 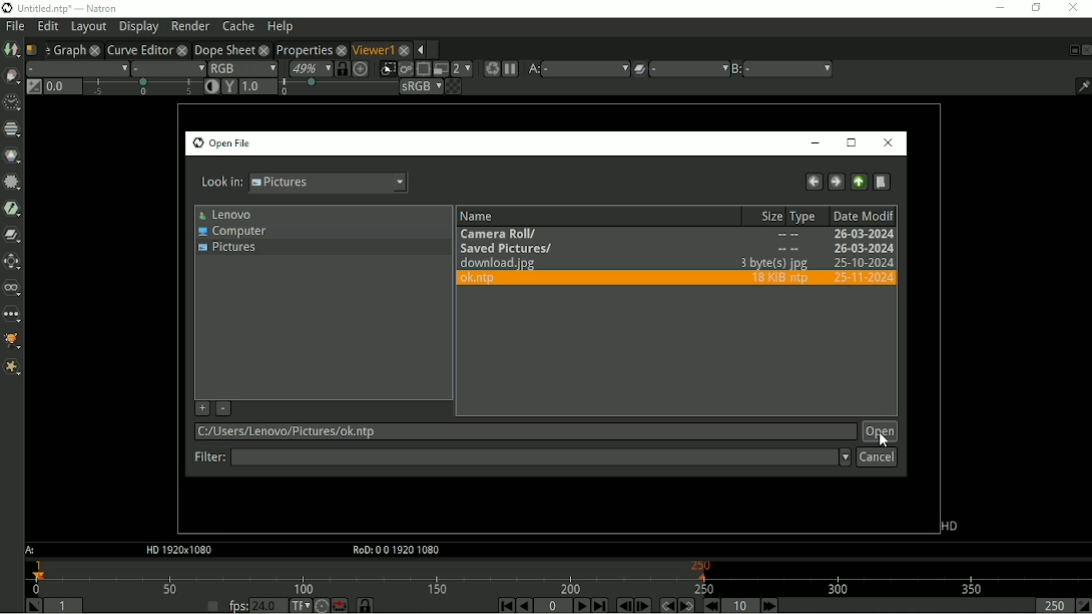 What do you see at coordinates (77, 68) in the screenshot?
I see `Layer` at bounding box center [77, 68].